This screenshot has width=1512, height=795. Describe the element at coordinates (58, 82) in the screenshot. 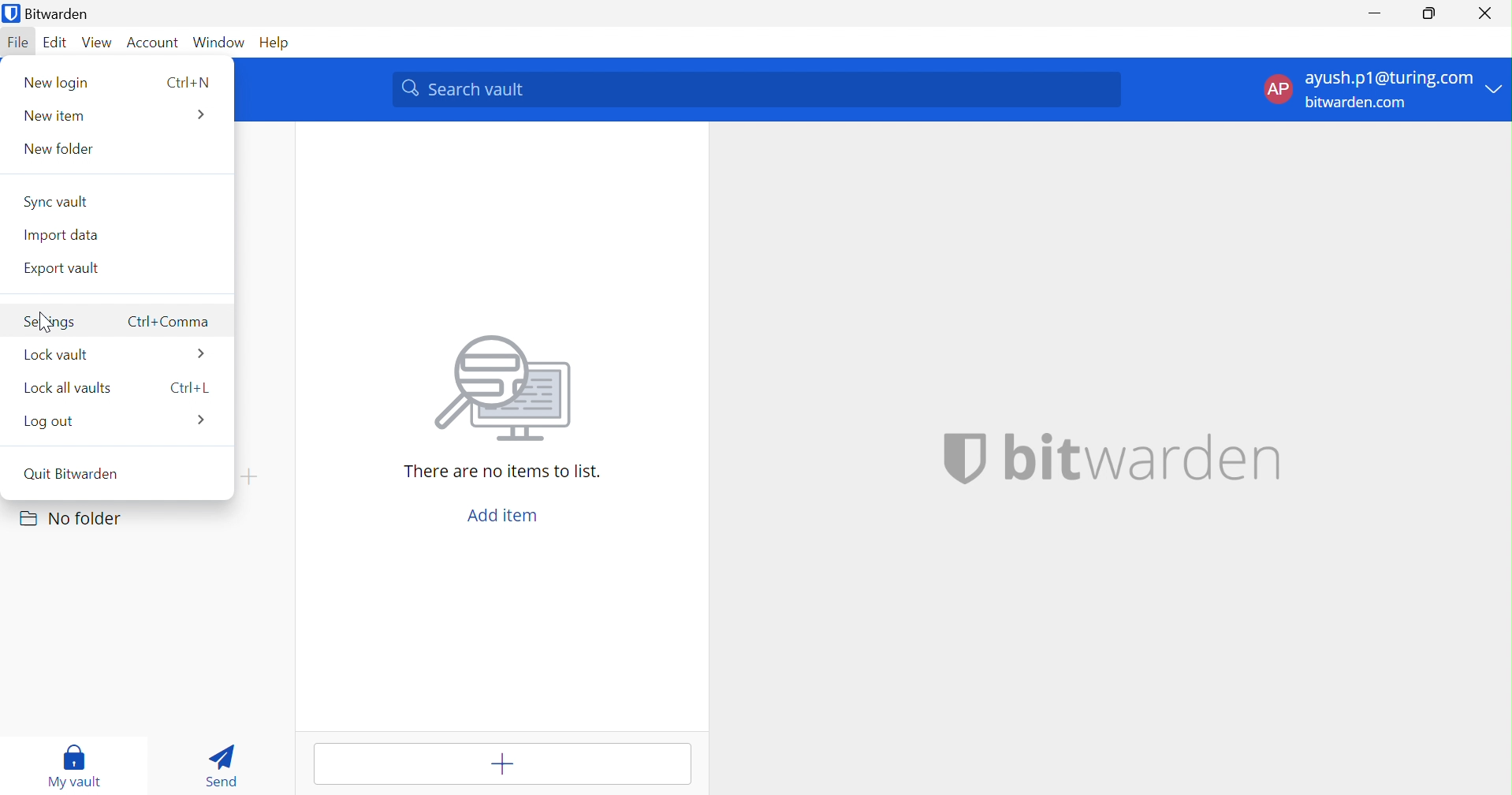

I see `New login` at that location.